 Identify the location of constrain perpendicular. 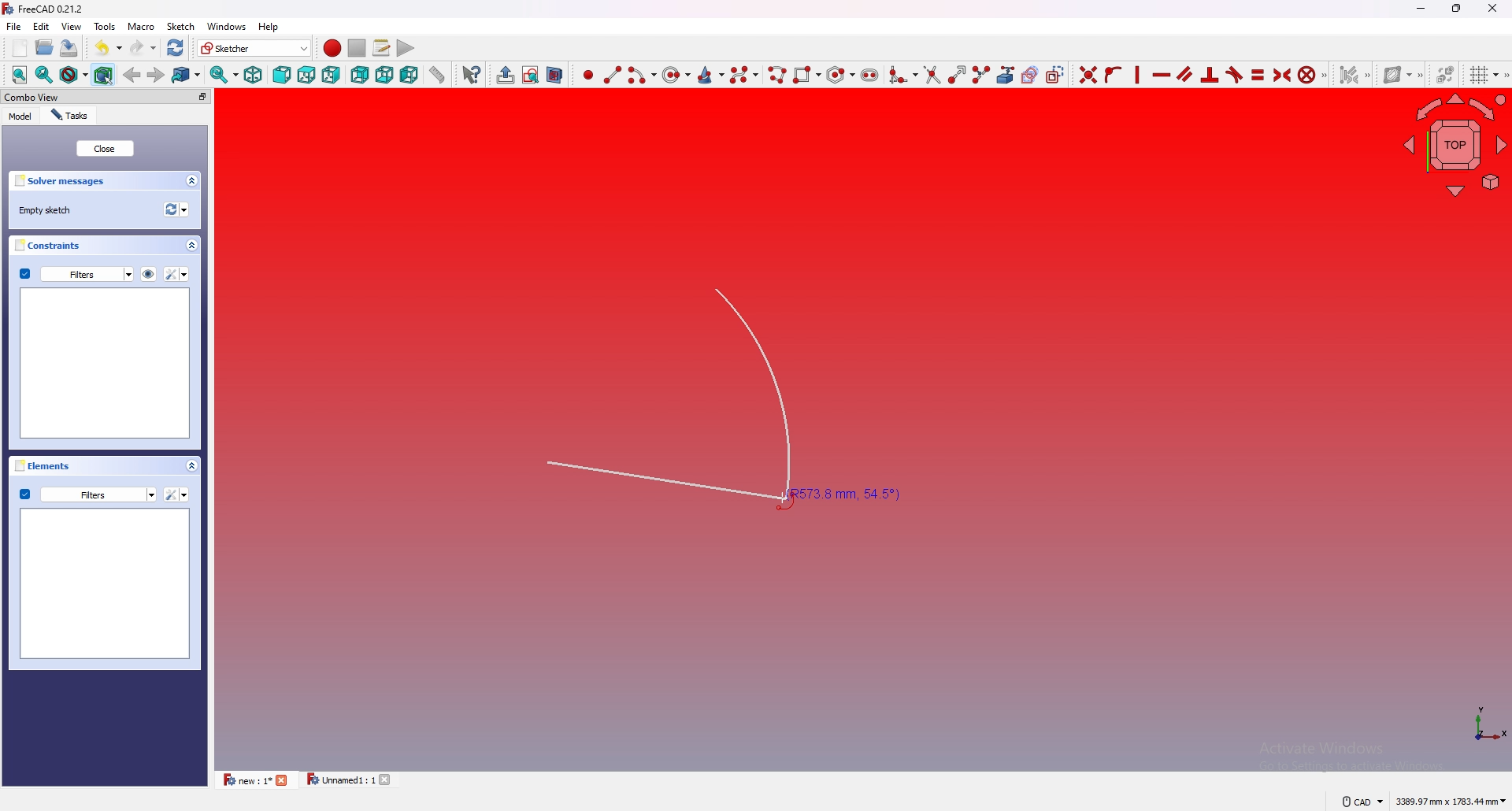
(1210, 76).